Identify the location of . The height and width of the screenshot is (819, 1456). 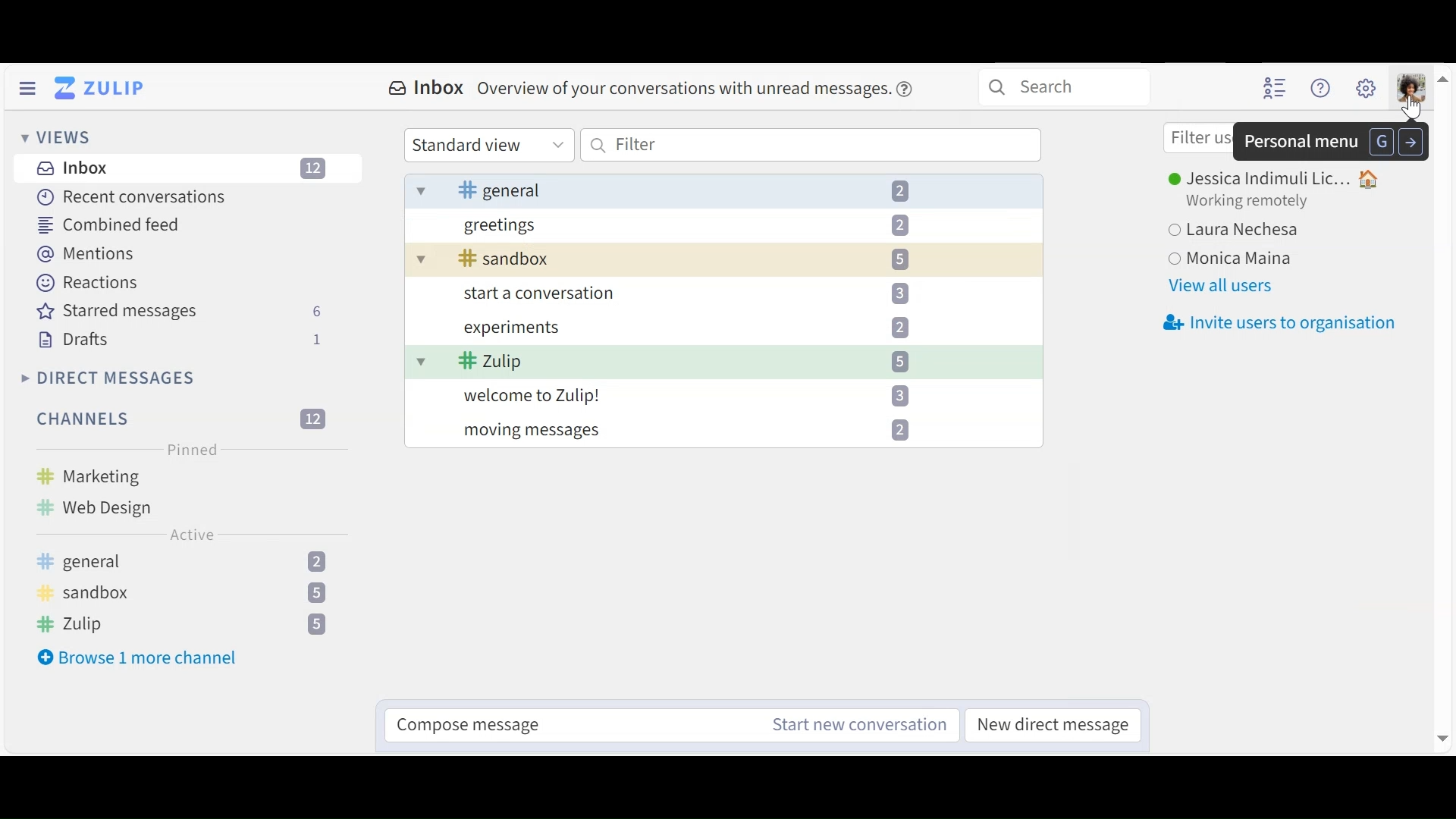
(1412, 105).